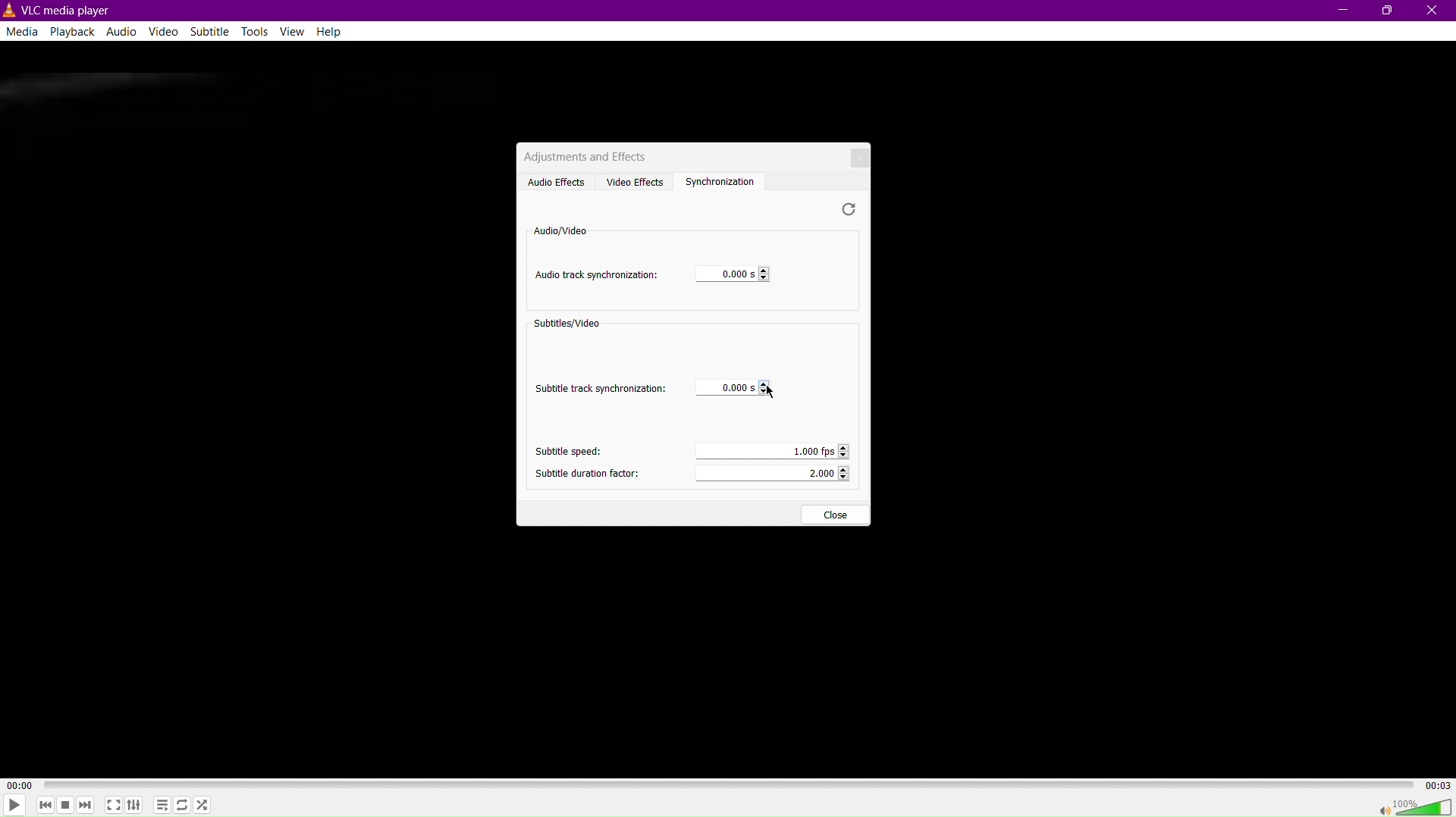  Describe the element at coordinates (1433, 11) in the screenshot. I see `Close` at that location.